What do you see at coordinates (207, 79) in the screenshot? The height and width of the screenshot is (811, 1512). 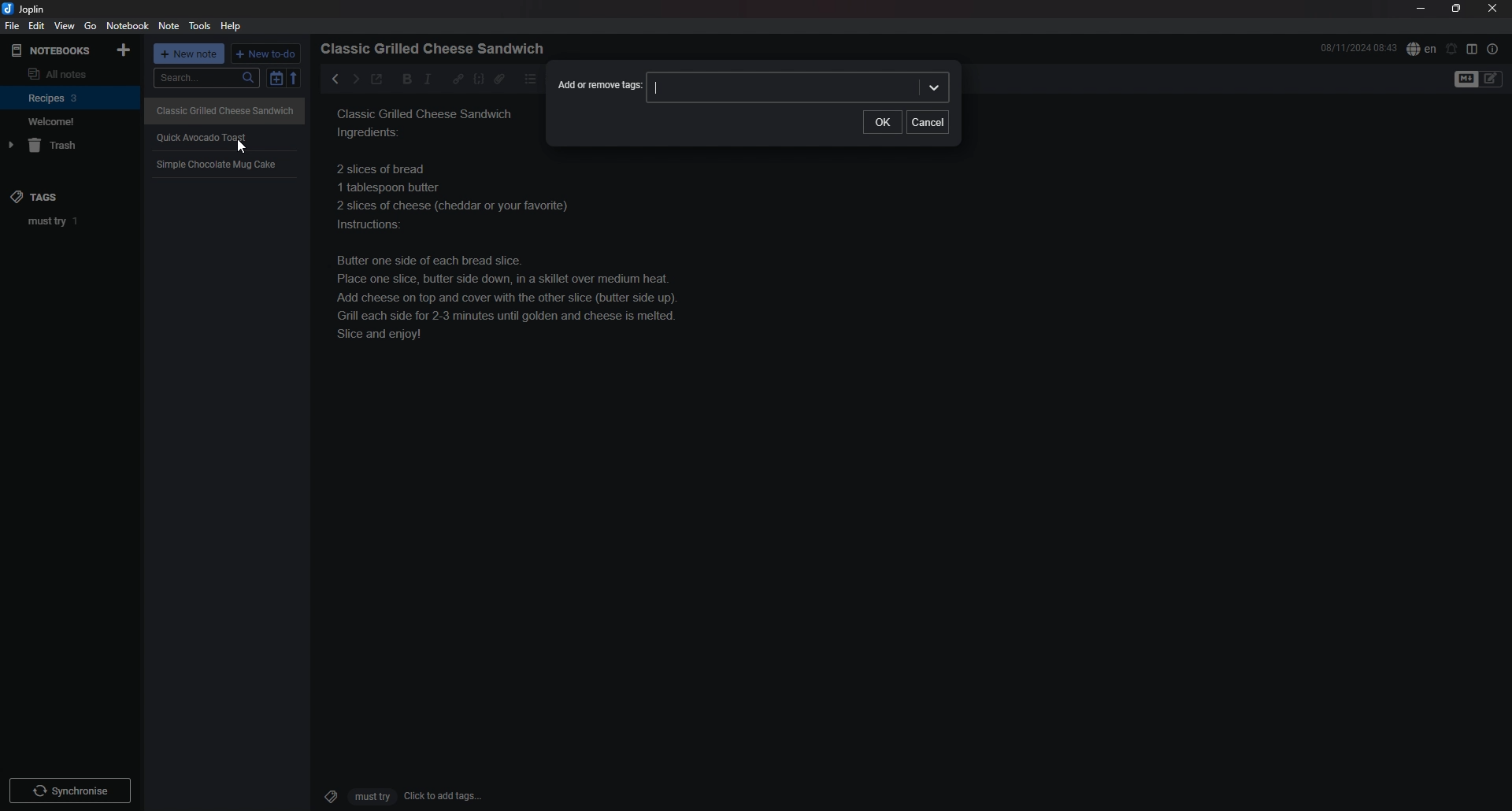 I see `search` at bounding box center [207, 79].